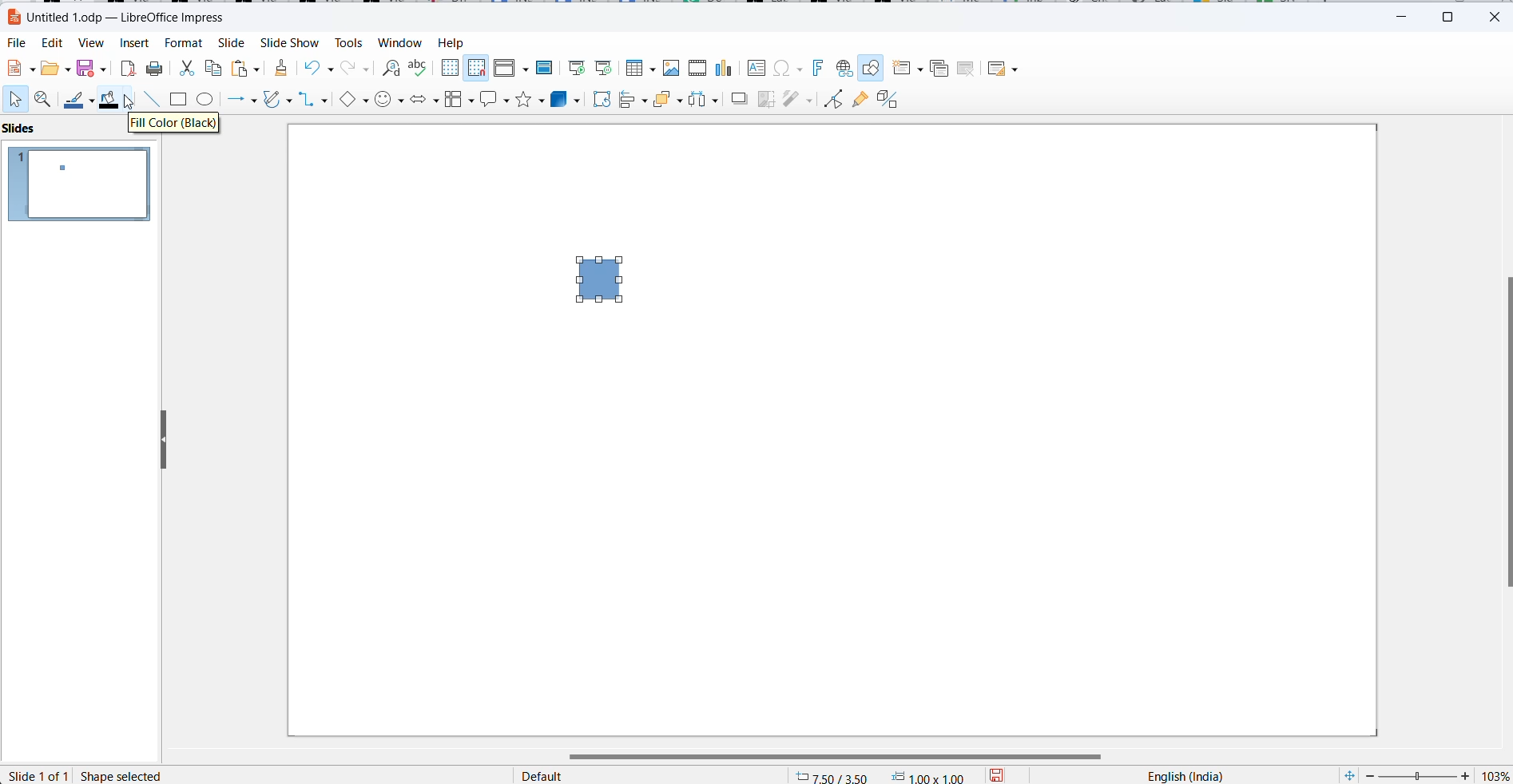 The width and height of the screenshot is (1513, 784). Describe the element at coordinates (133, 99) in the screenshot. I see `fill color options` at that location.